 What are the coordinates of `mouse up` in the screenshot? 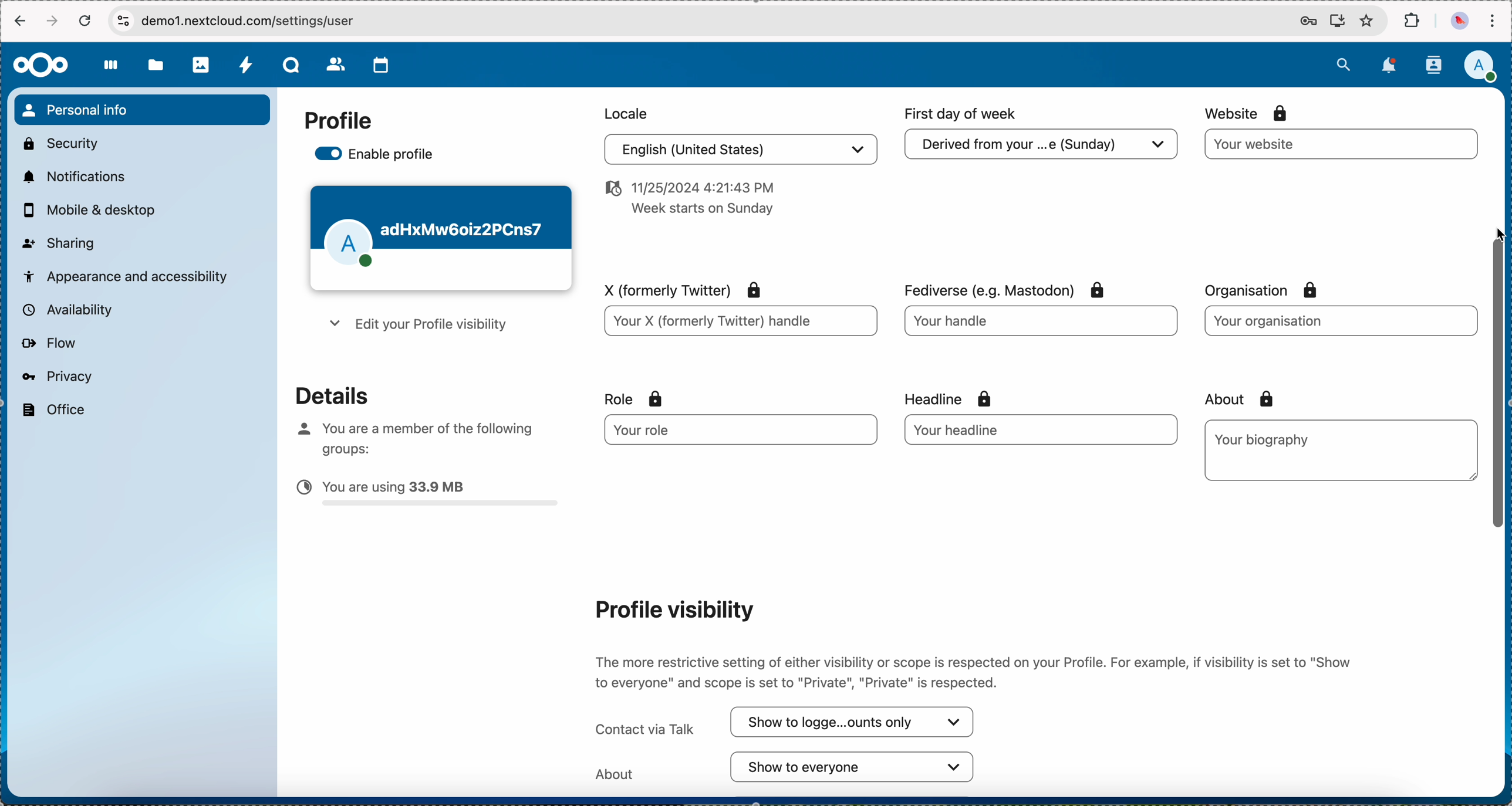 It's located at (1501, 234).